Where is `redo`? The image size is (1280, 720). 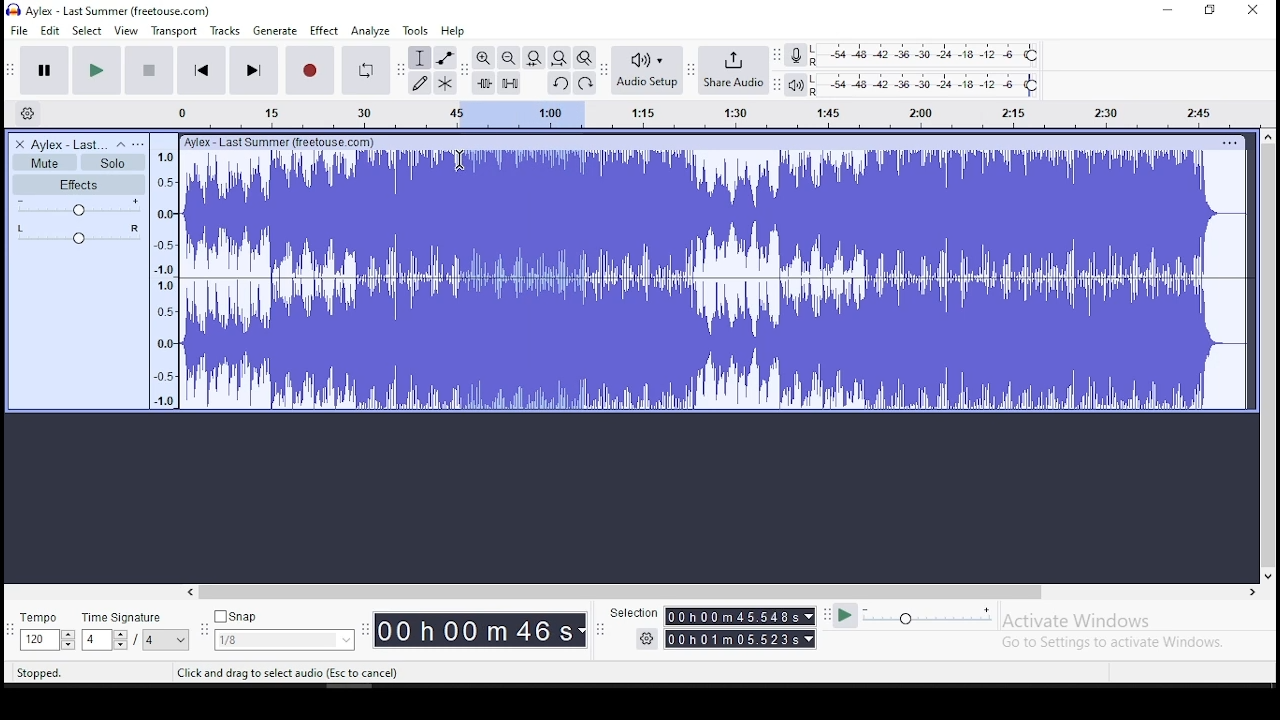 redo is located at coordinates (586, 82).